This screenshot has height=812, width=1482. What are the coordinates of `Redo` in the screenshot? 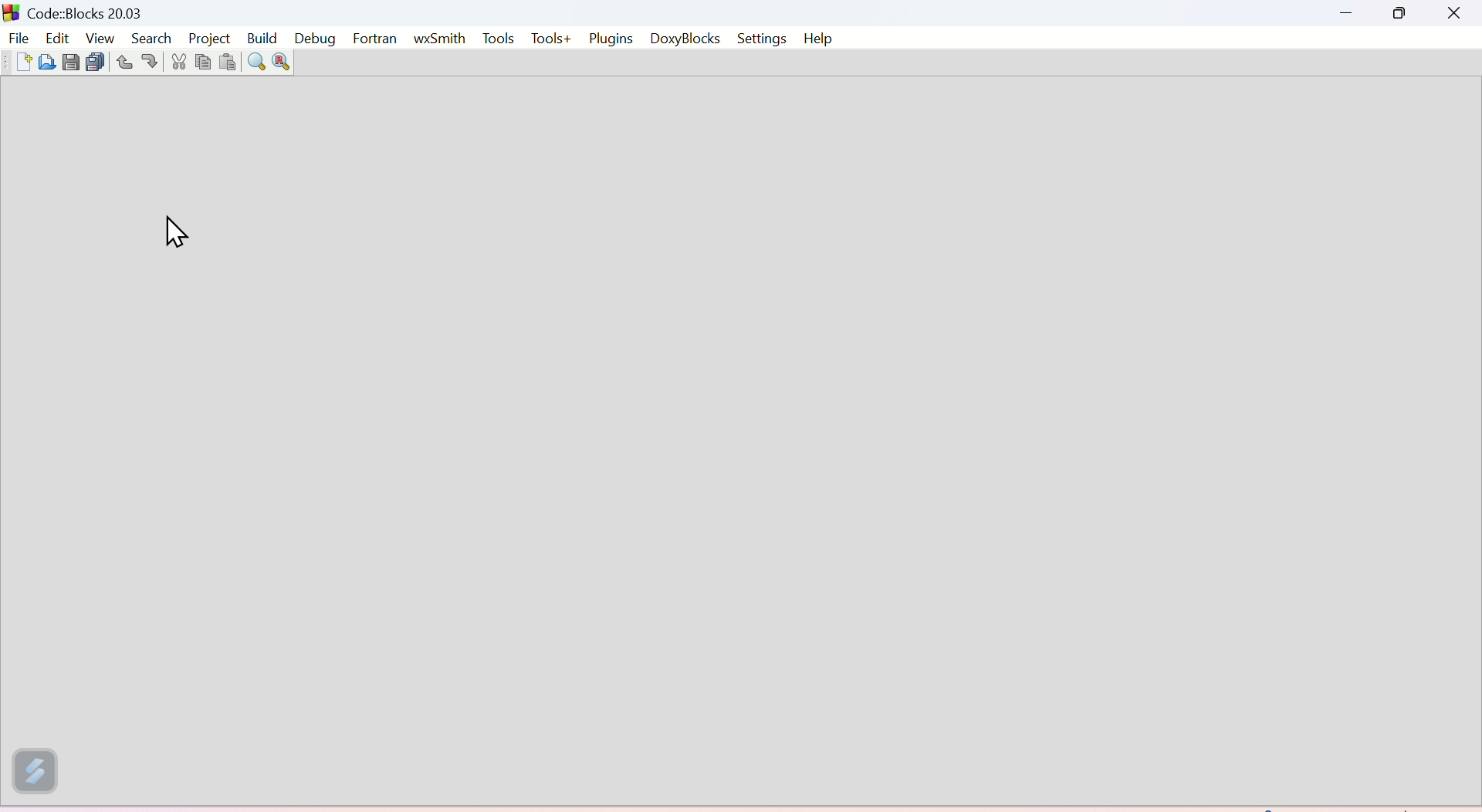 It's located at (149, 61).